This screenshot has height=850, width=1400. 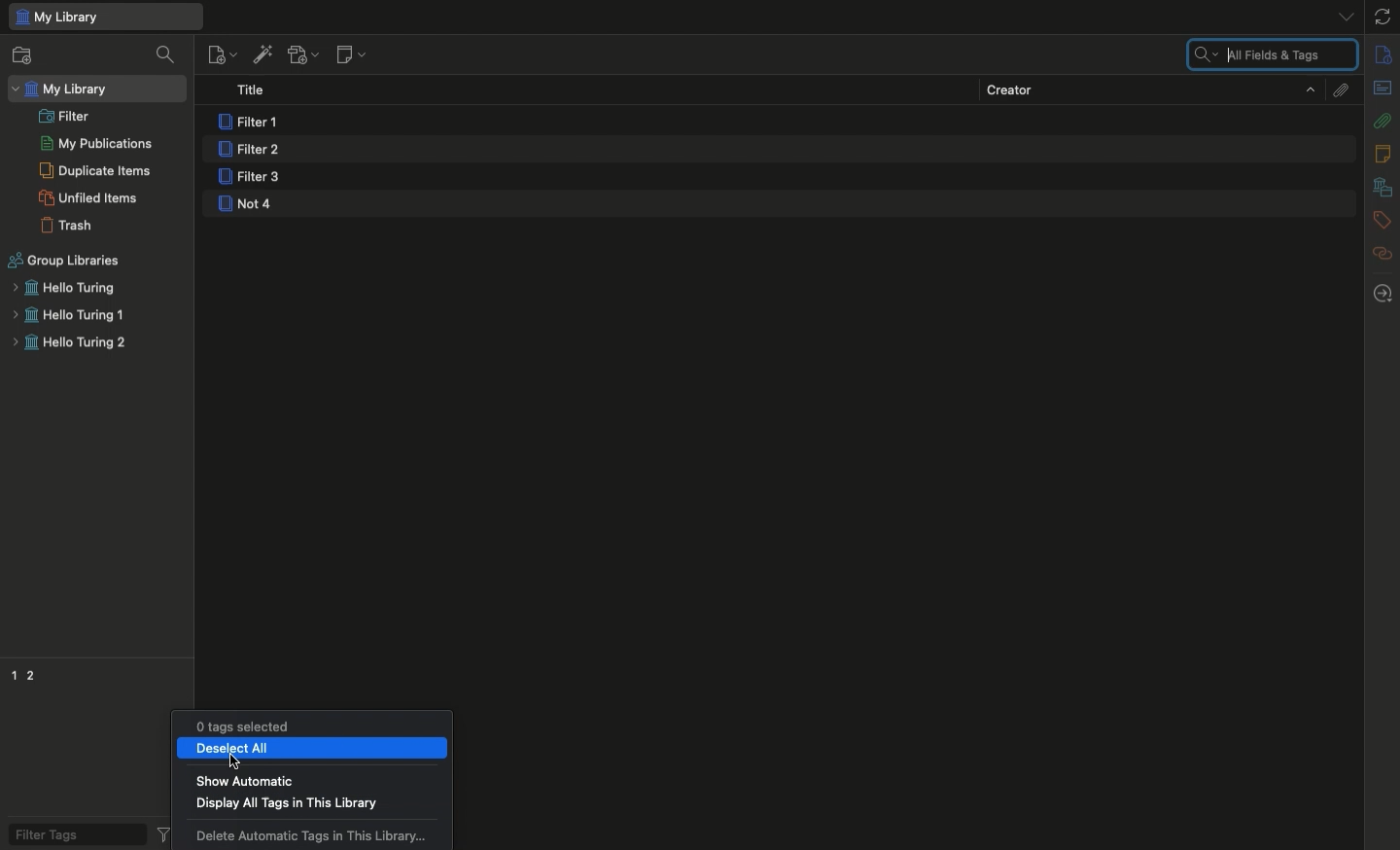 I want to click on Duplicate items, so click(x=95, y=170).